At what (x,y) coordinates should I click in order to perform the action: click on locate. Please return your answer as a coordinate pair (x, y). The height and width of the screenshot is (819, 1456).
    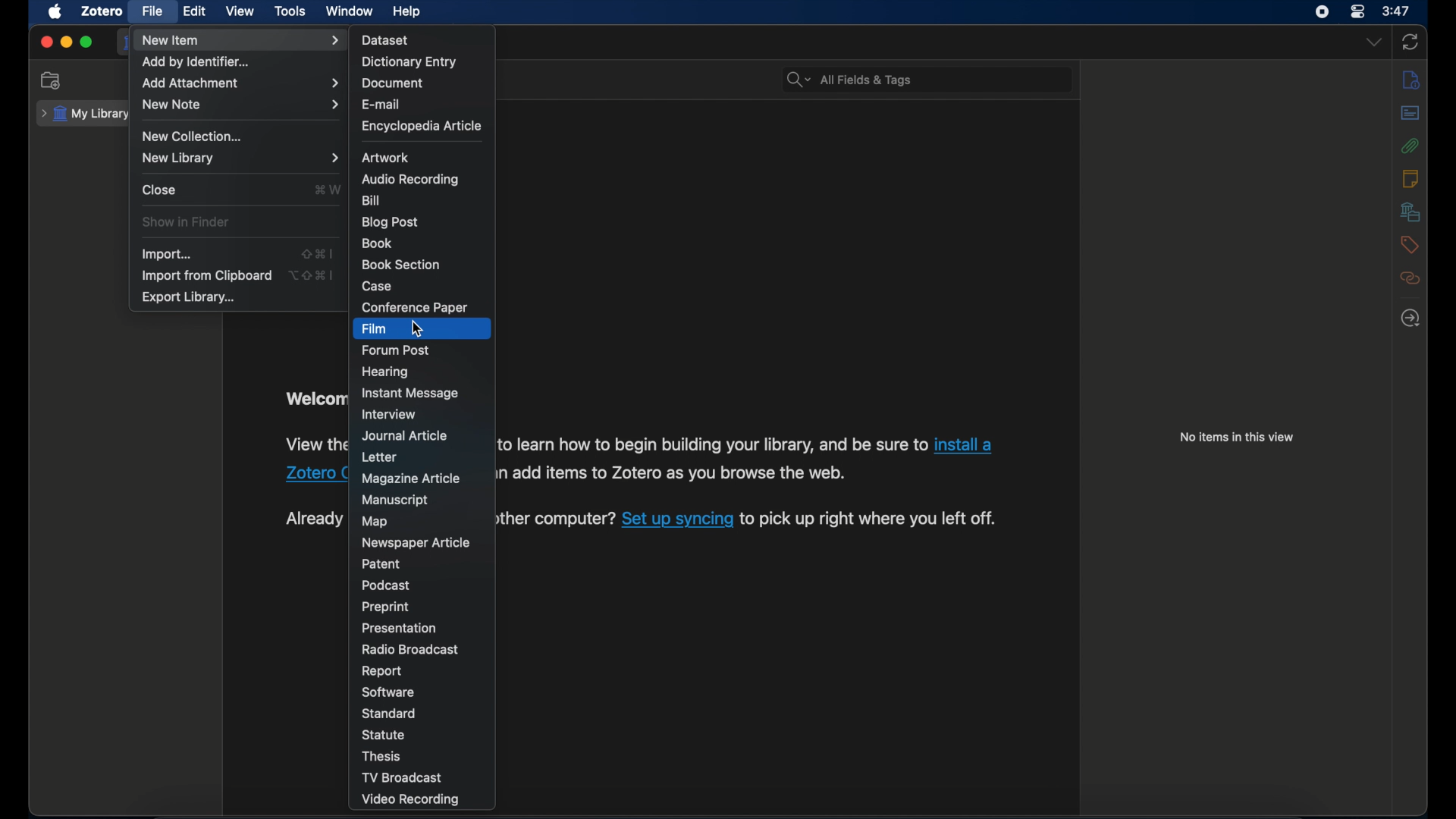
    Looking at the image, I should click on (1411, 318).